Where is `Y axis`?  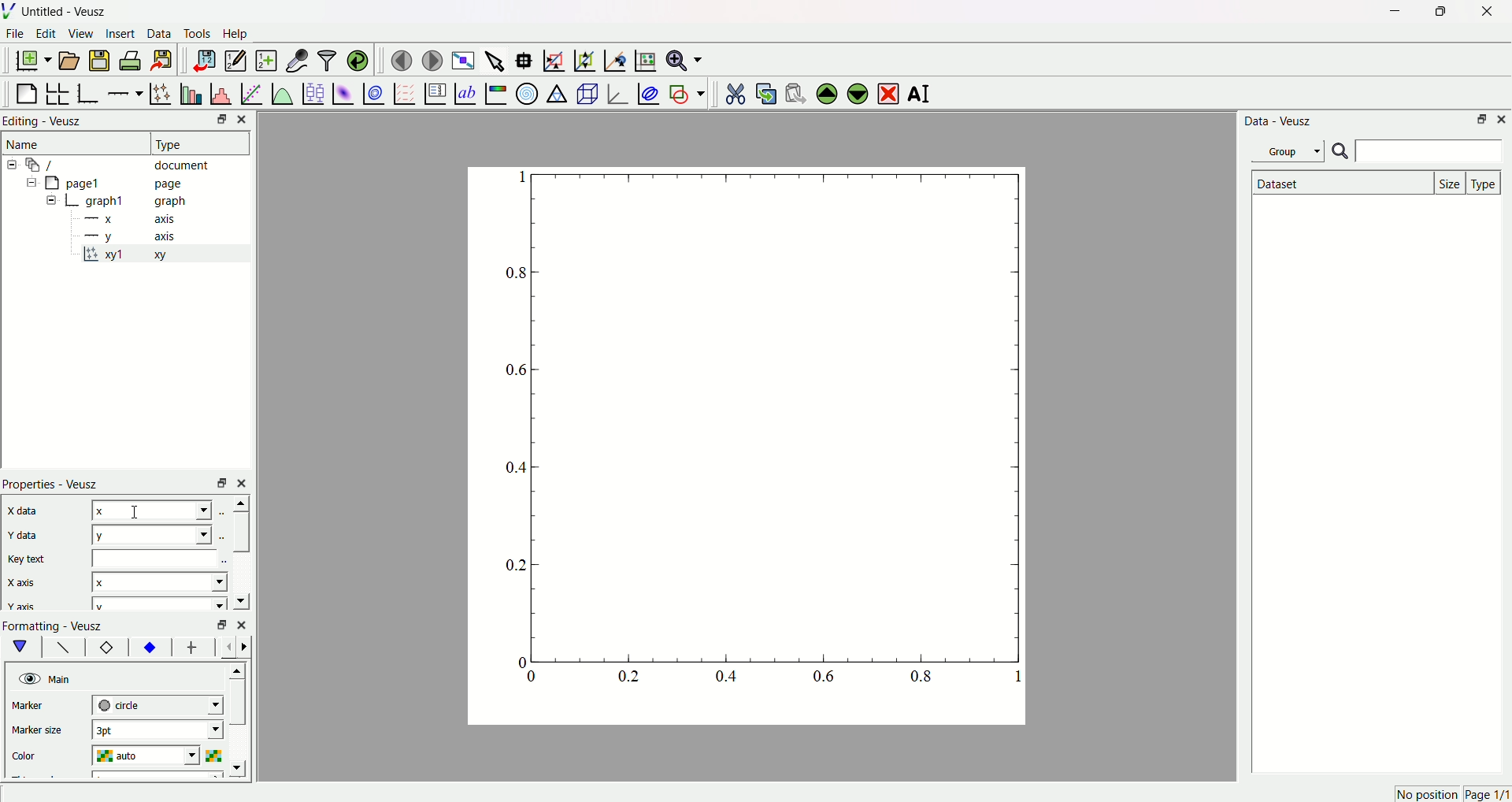 Y axis is located at coordinates (23, 607).